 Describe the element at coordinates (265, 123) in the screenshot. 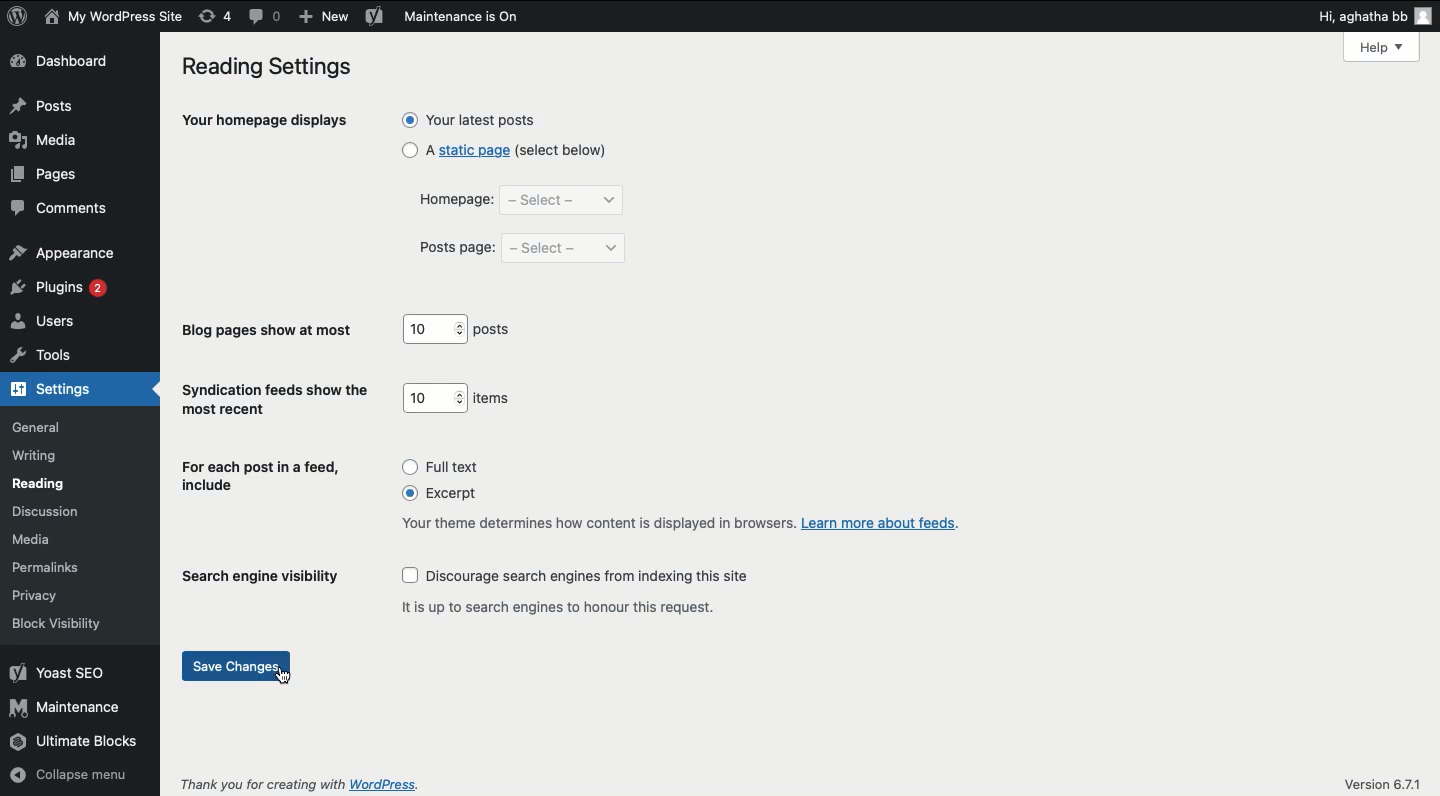

I see `your homepage displays` at that location.